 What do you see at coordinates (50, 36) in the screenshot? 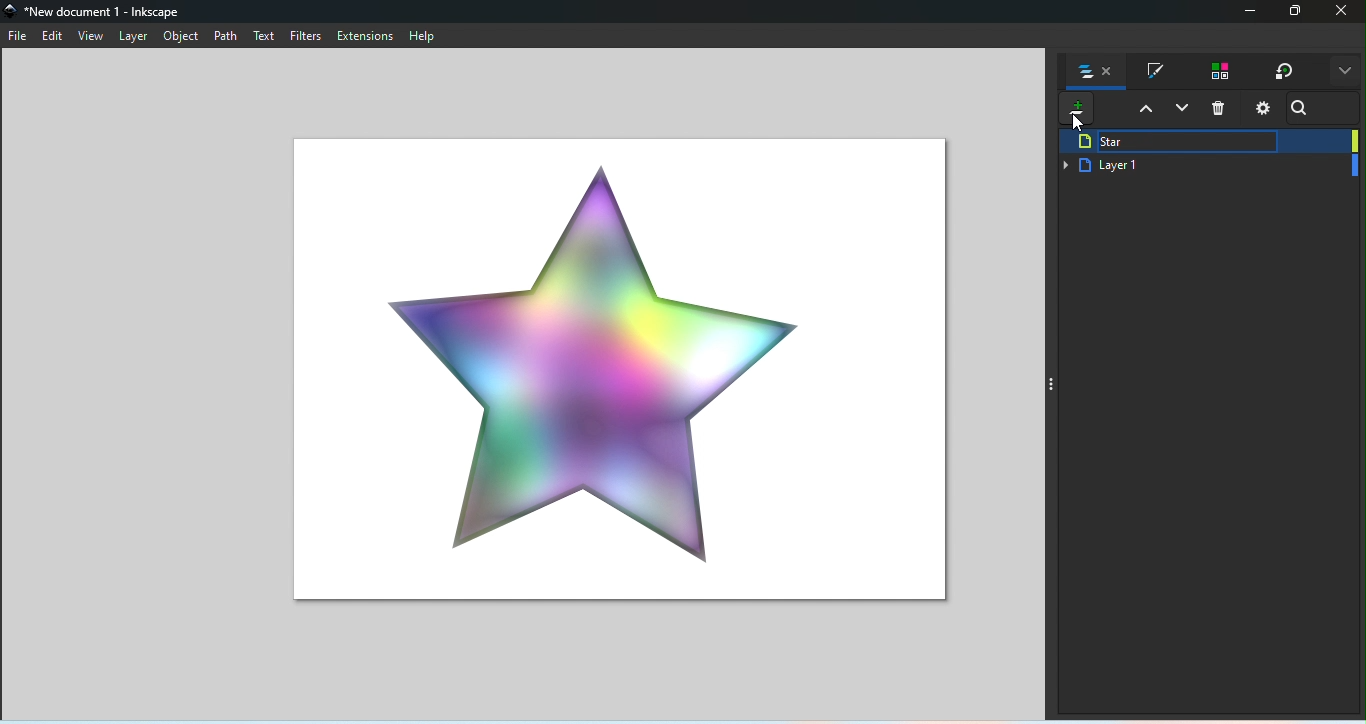
I see `Edit` at bounding box center [50, 36].